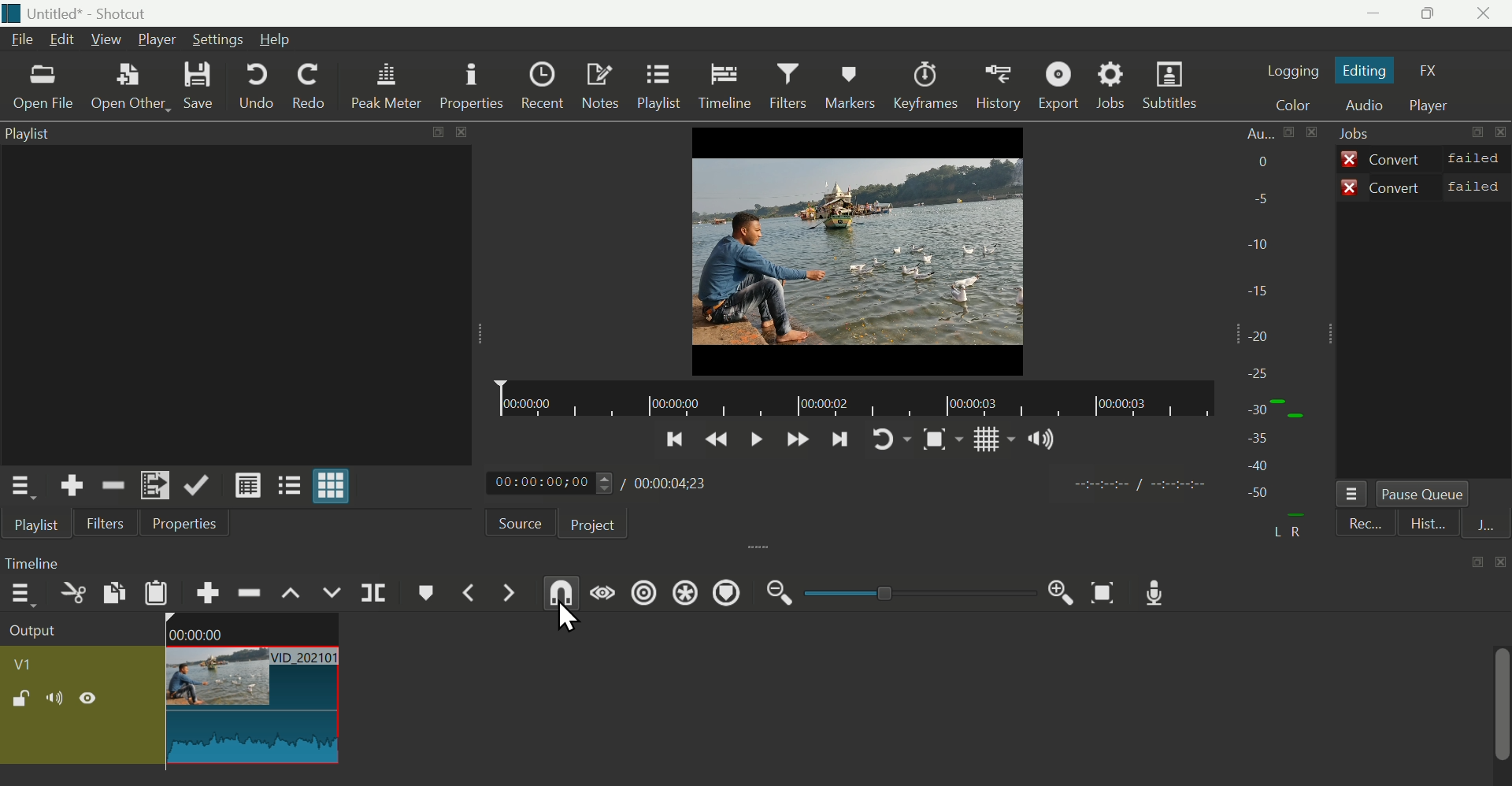 Image resolution: width=1512 pixels, height=786 pixels. What do you see at coordinates (1277, 335) in the screenshot?
I see `Audio bar` at bounding box center [1277, 335].